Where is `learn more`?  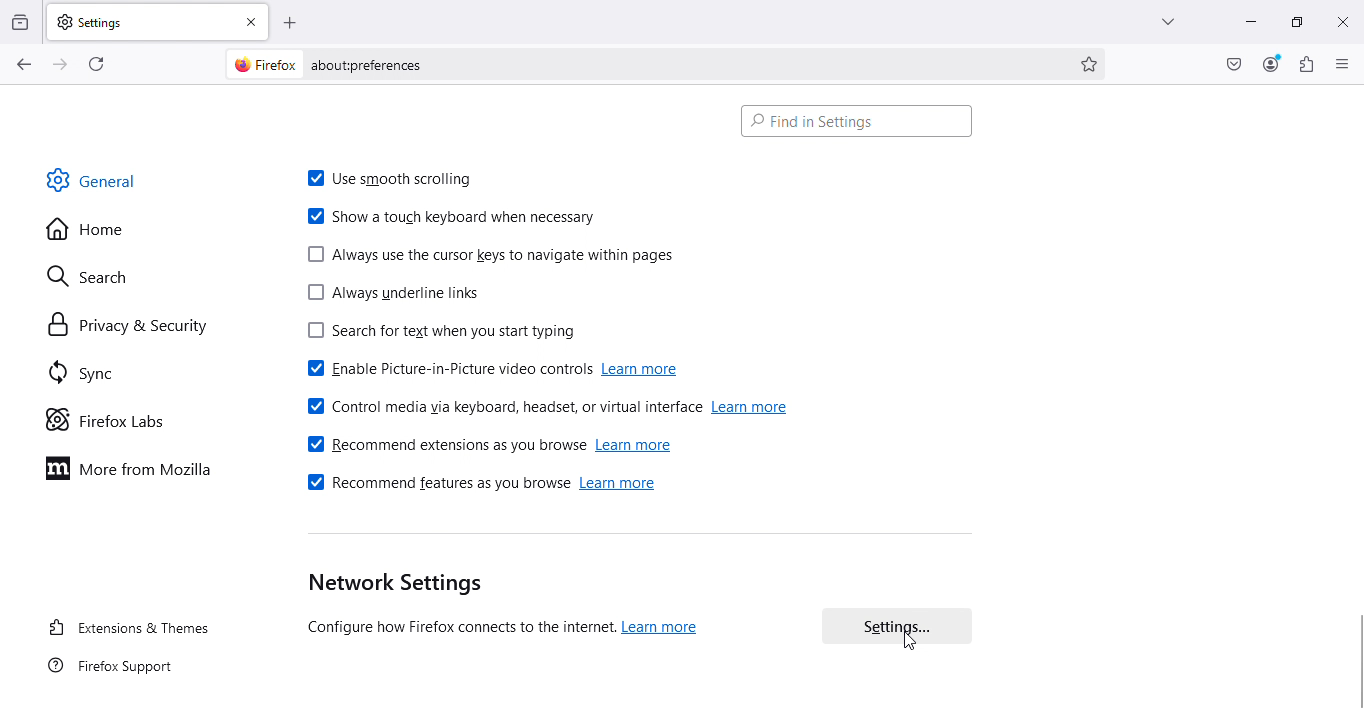 learn more is located at coordinates (751, 407).